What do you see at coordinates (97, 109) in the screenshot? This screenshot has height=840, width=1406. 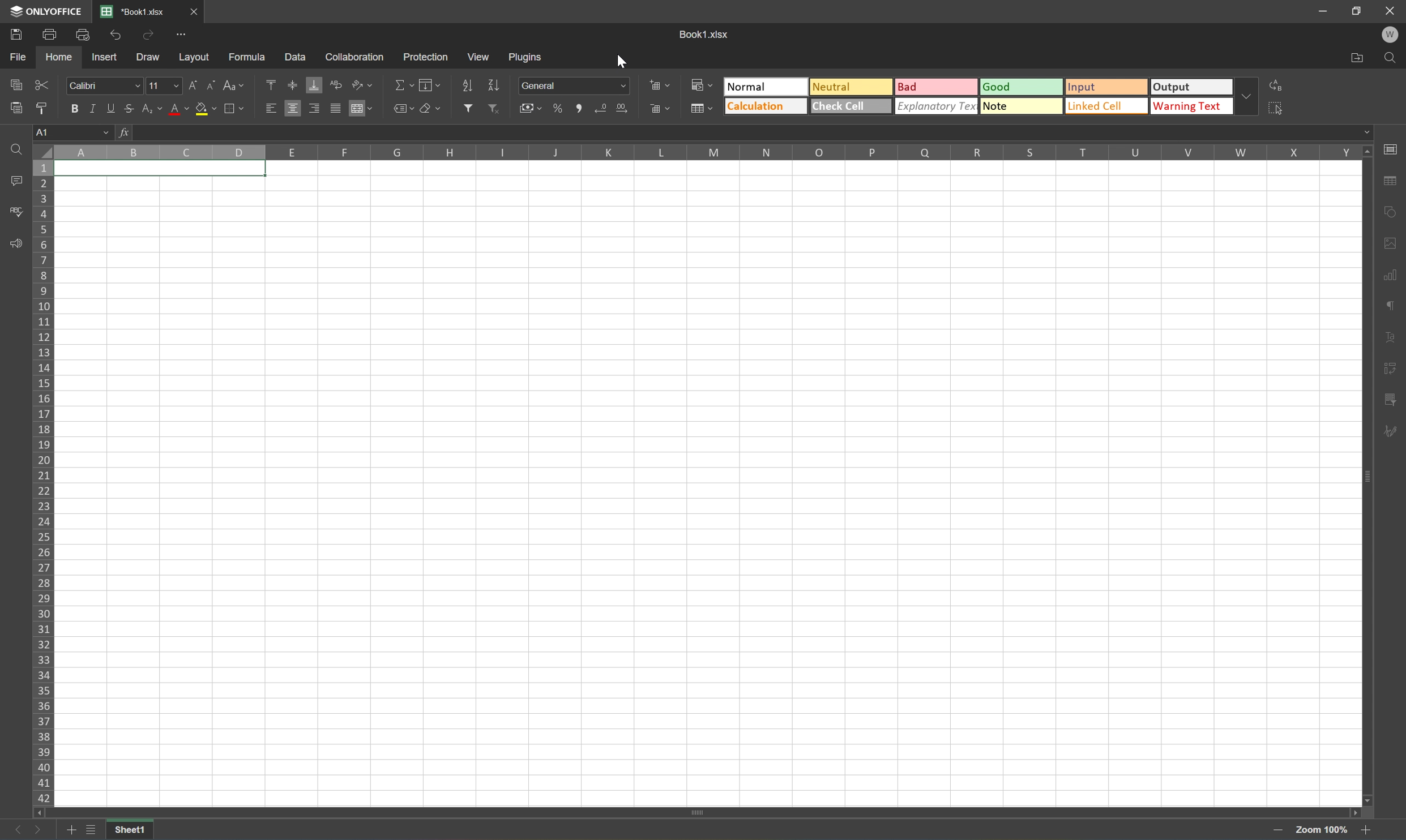 I see `Italic` at bounding box center [97, 109].